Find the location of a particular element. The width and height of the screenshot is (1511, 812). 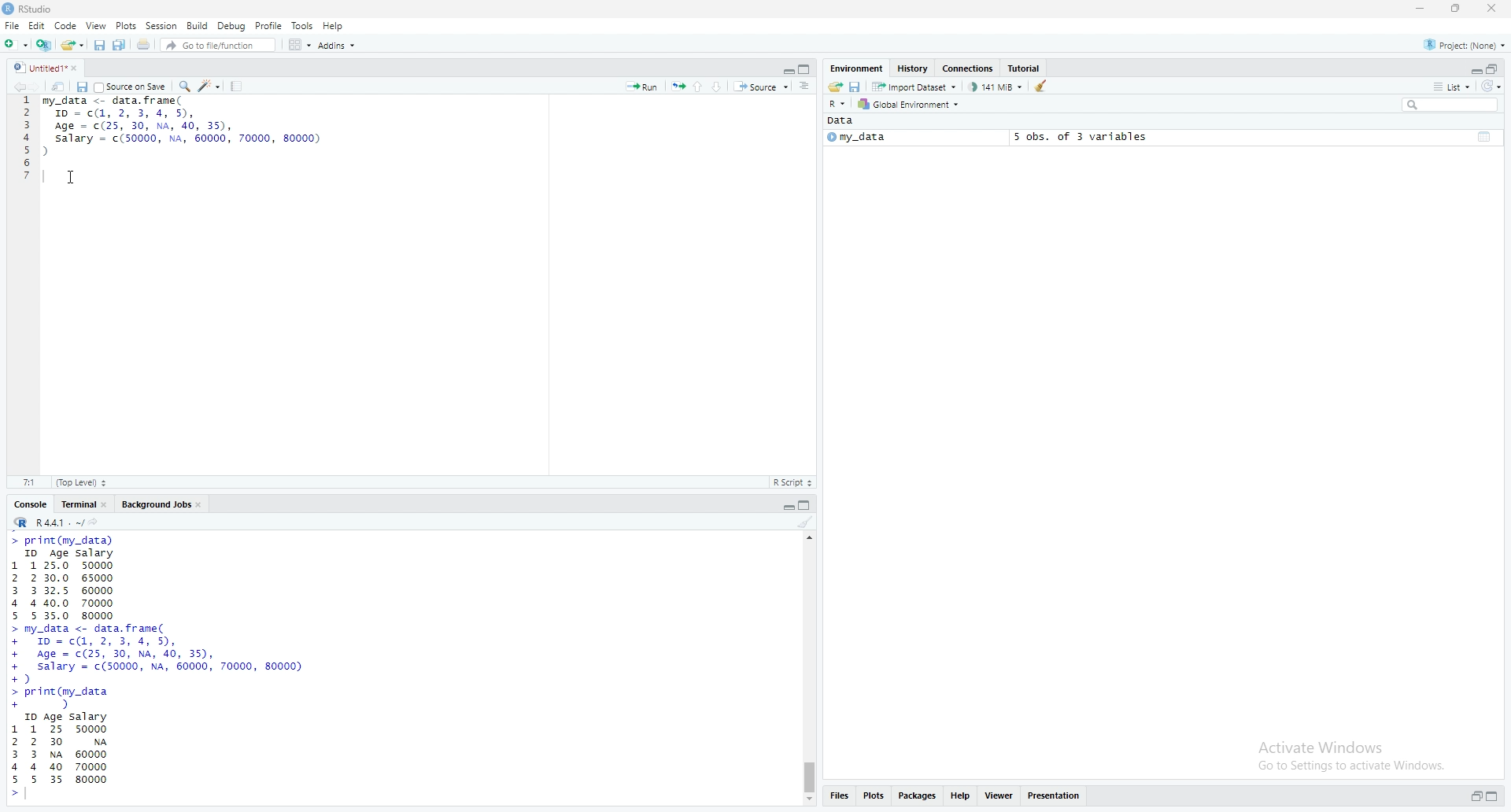

files is located at coordinates (838, 796).